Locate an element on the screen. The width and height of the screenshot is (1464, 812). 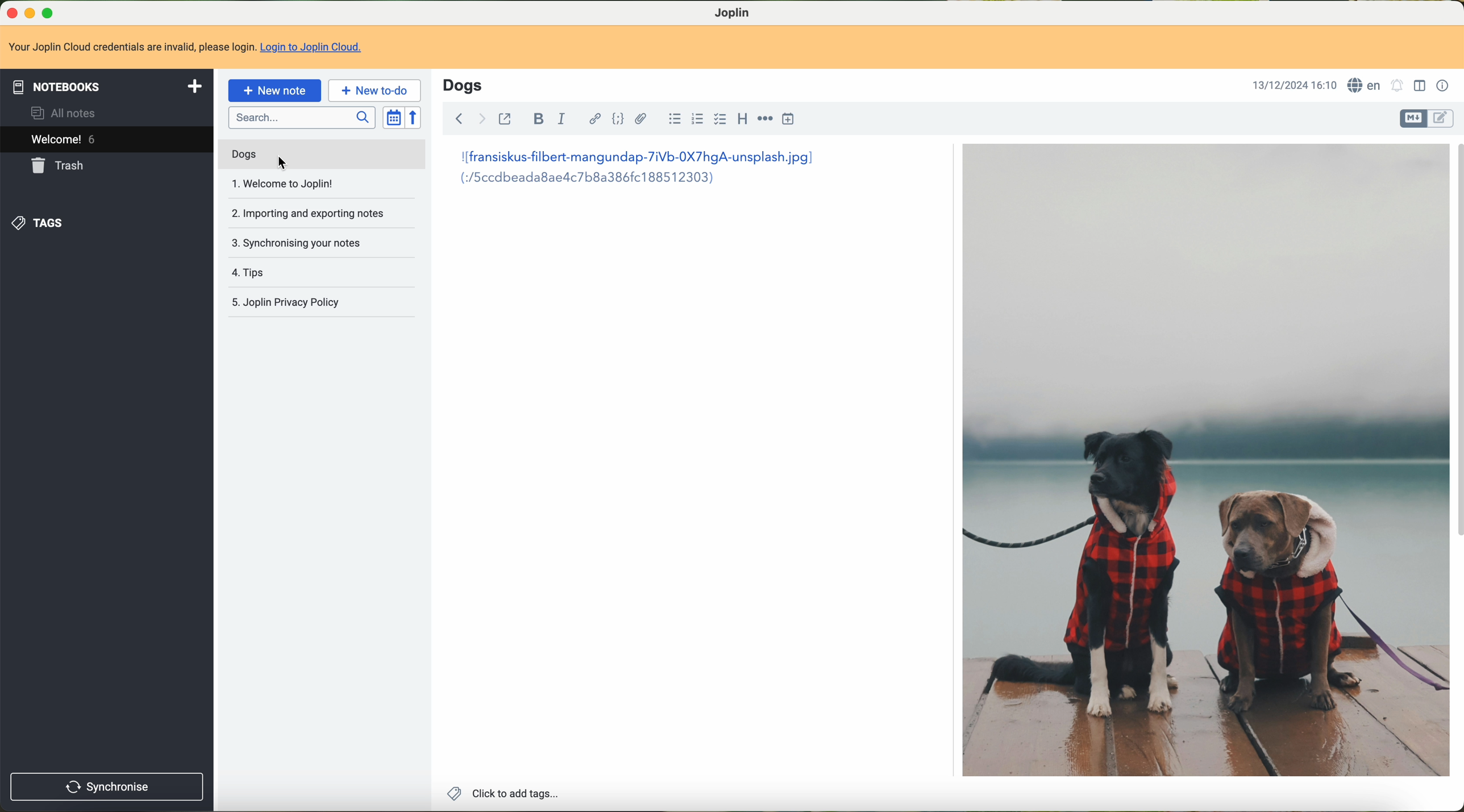
maximize Joplin is located at coordinates (49, 14).